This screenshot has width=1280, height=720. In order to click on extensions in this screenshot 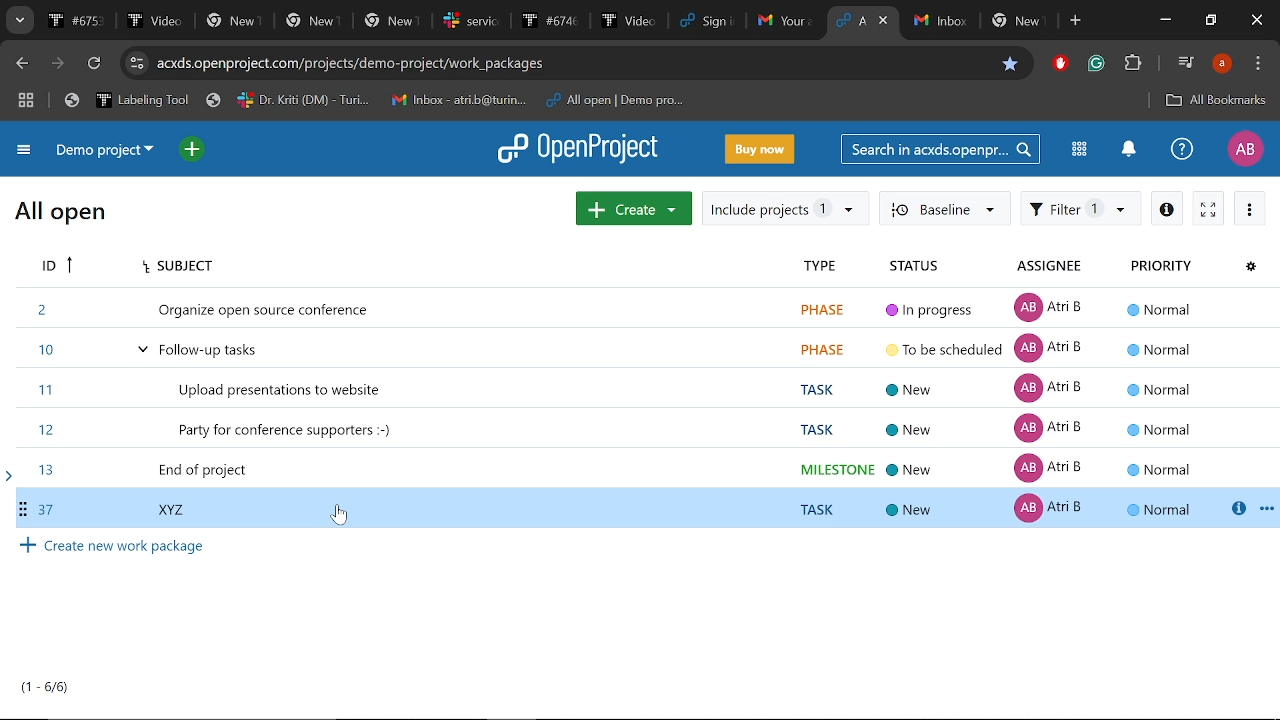, I will do `click(1132, 65)`.